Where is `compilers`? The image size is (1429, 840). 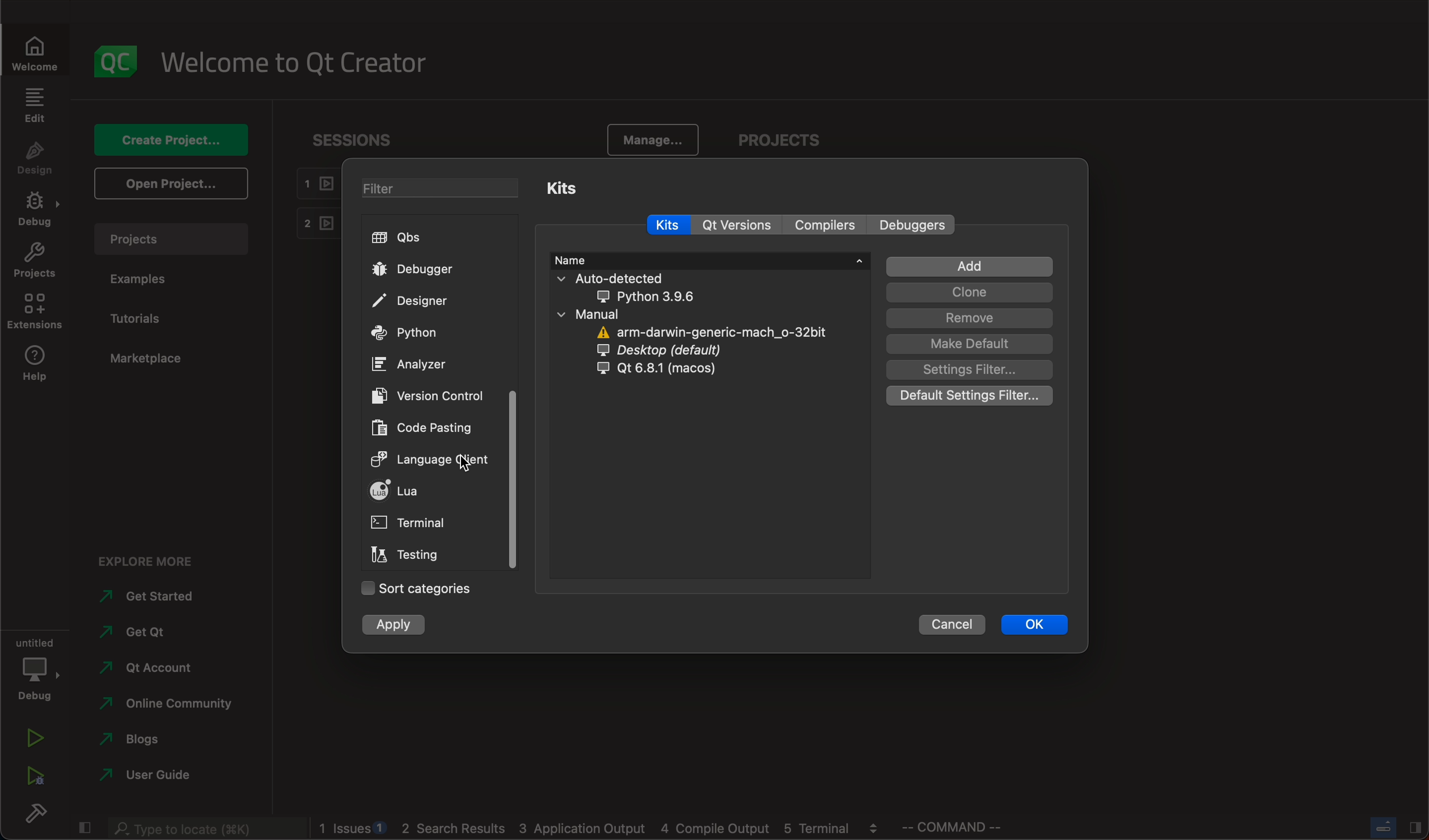 compilers is located at coordinates (823, 225).